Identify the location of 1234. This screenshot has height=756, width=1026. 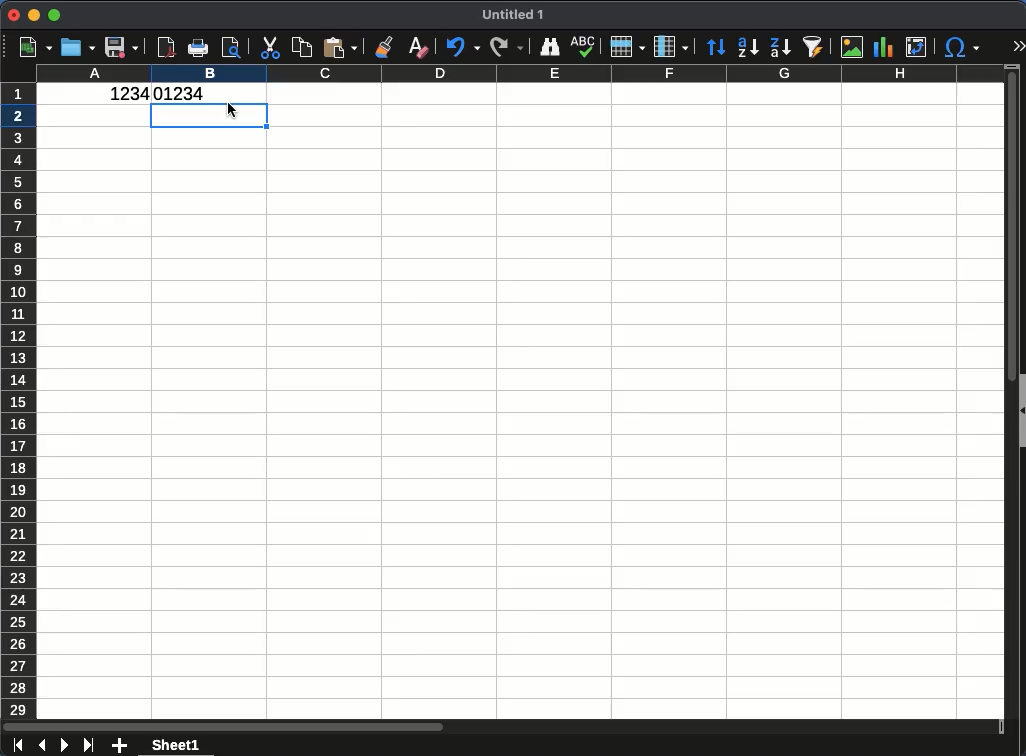
(124, 95).